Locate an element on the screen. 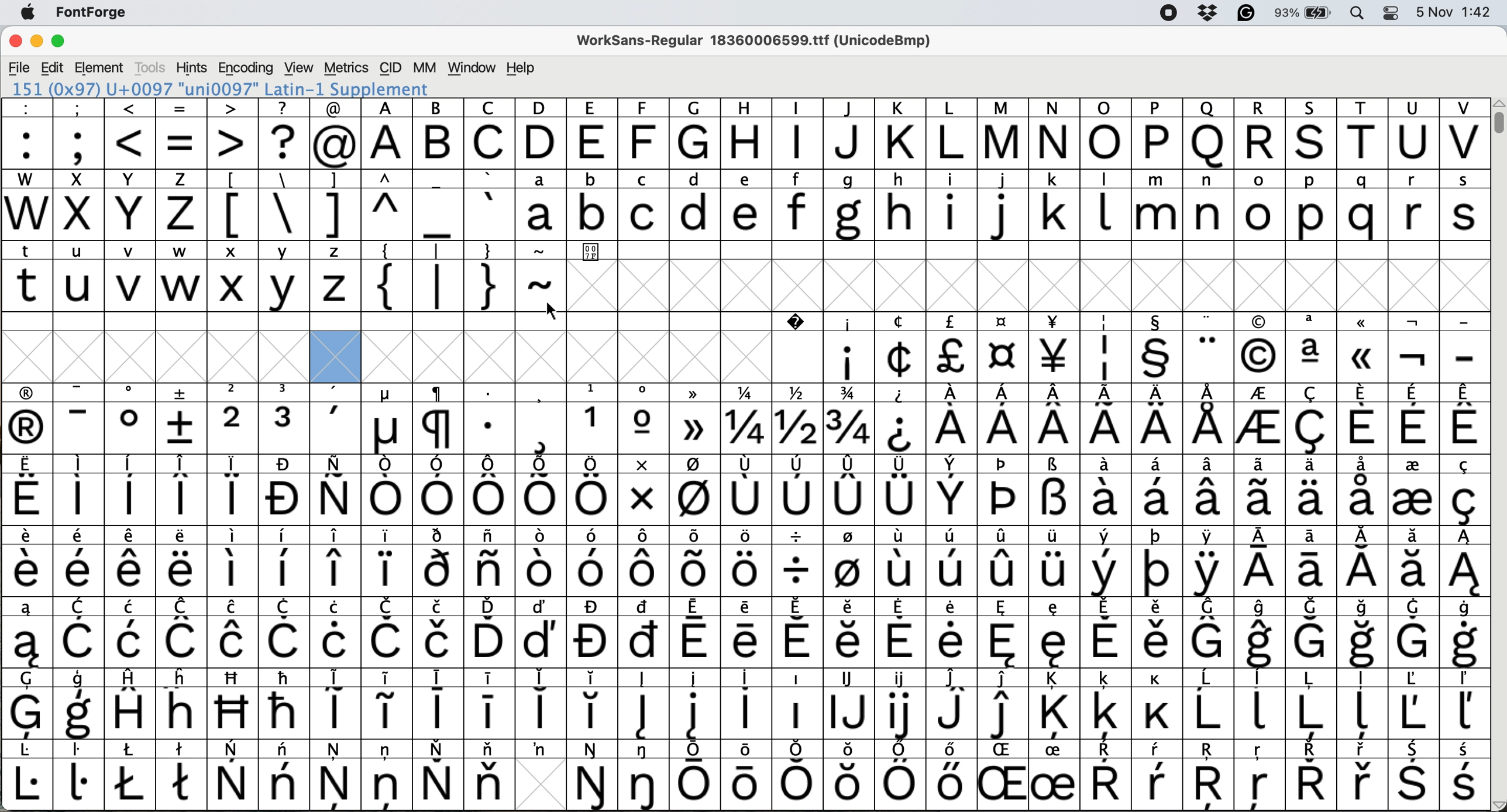  Symbol is located at coordinates (798, 347).